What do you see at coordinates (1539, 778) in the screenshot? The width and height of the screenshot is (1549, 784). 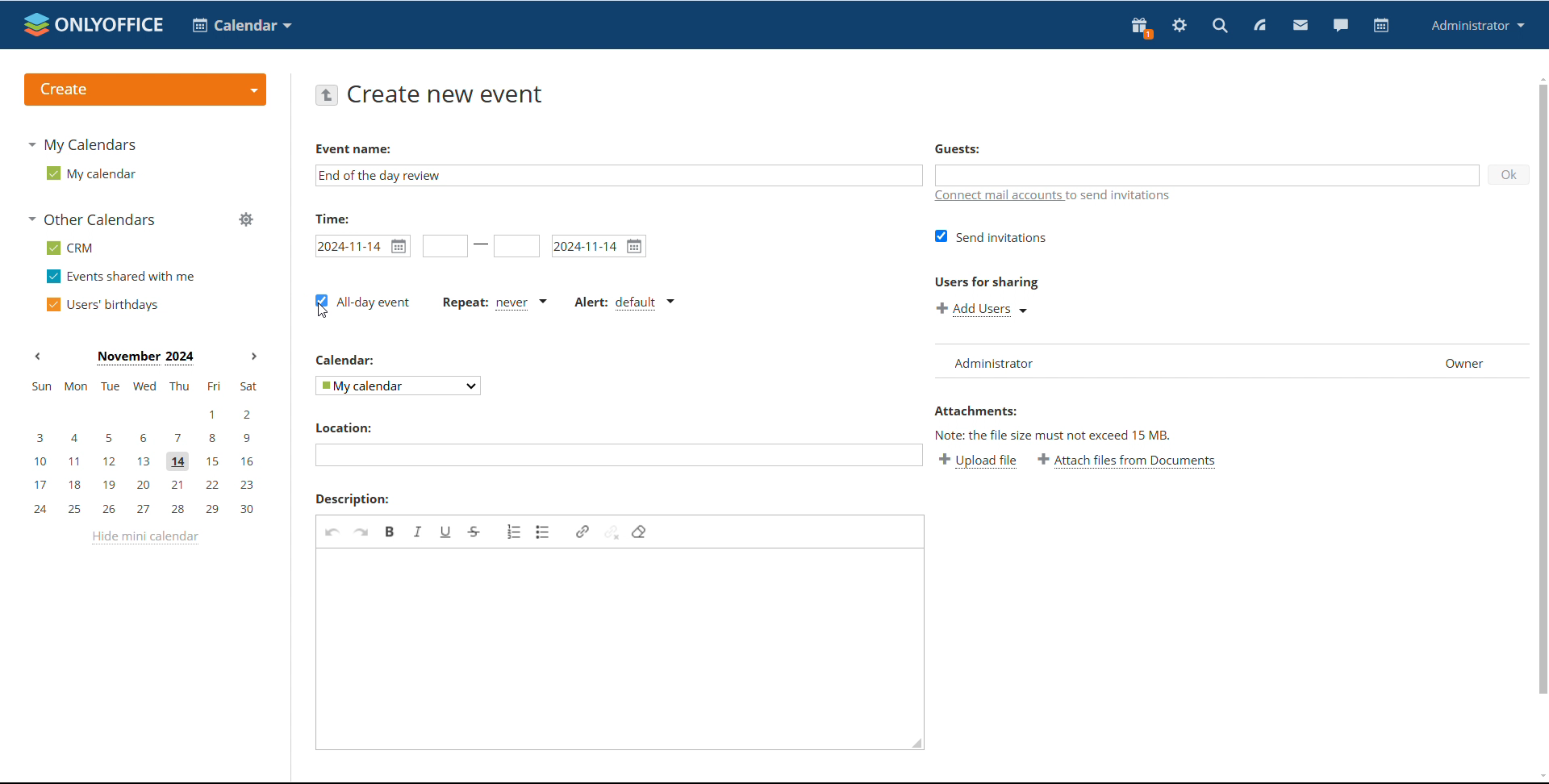 I see `scroll down` at bounding box center [1539, 778].